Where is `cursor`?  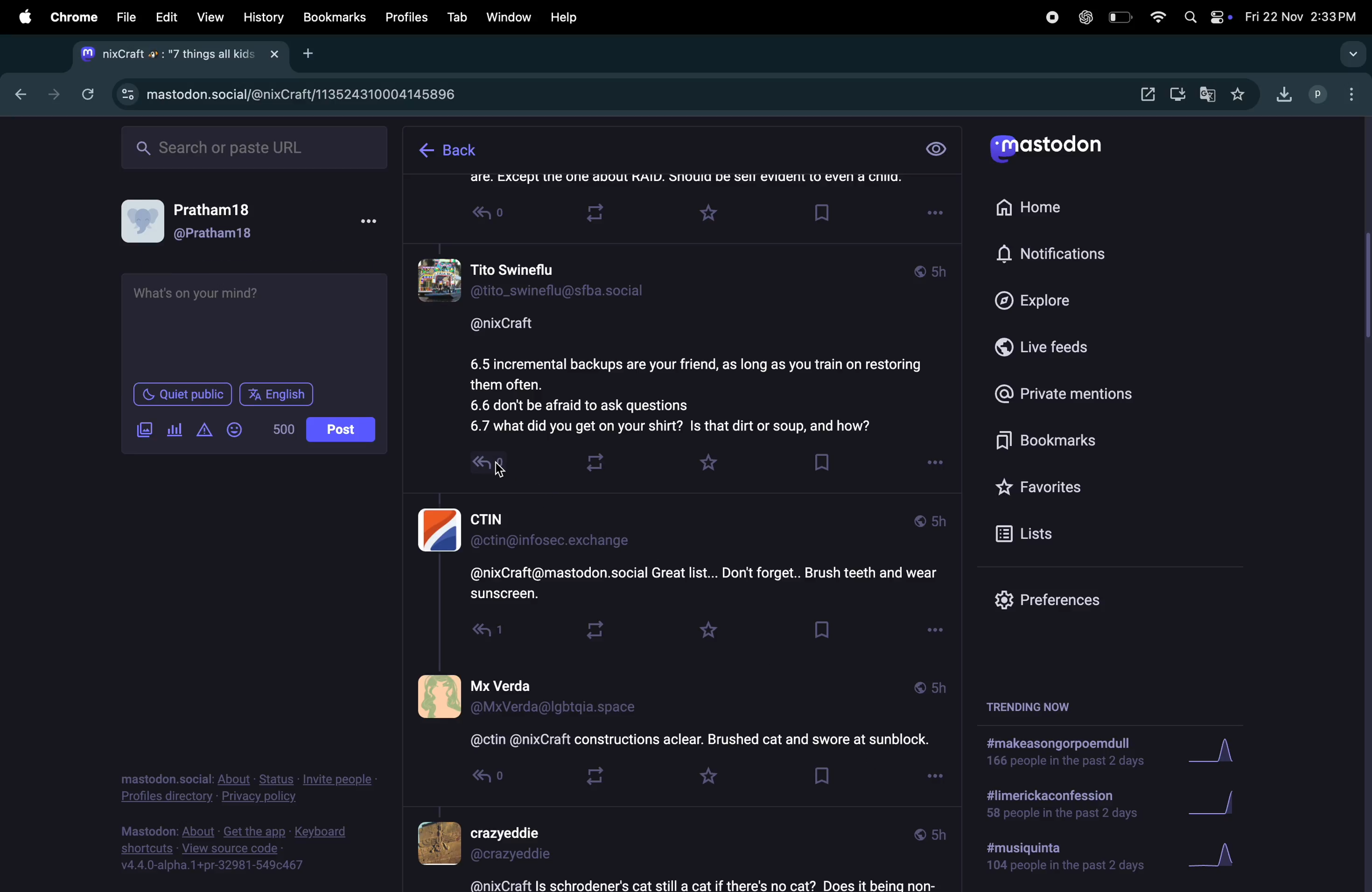
cursor is located at coordinates (504, 470).